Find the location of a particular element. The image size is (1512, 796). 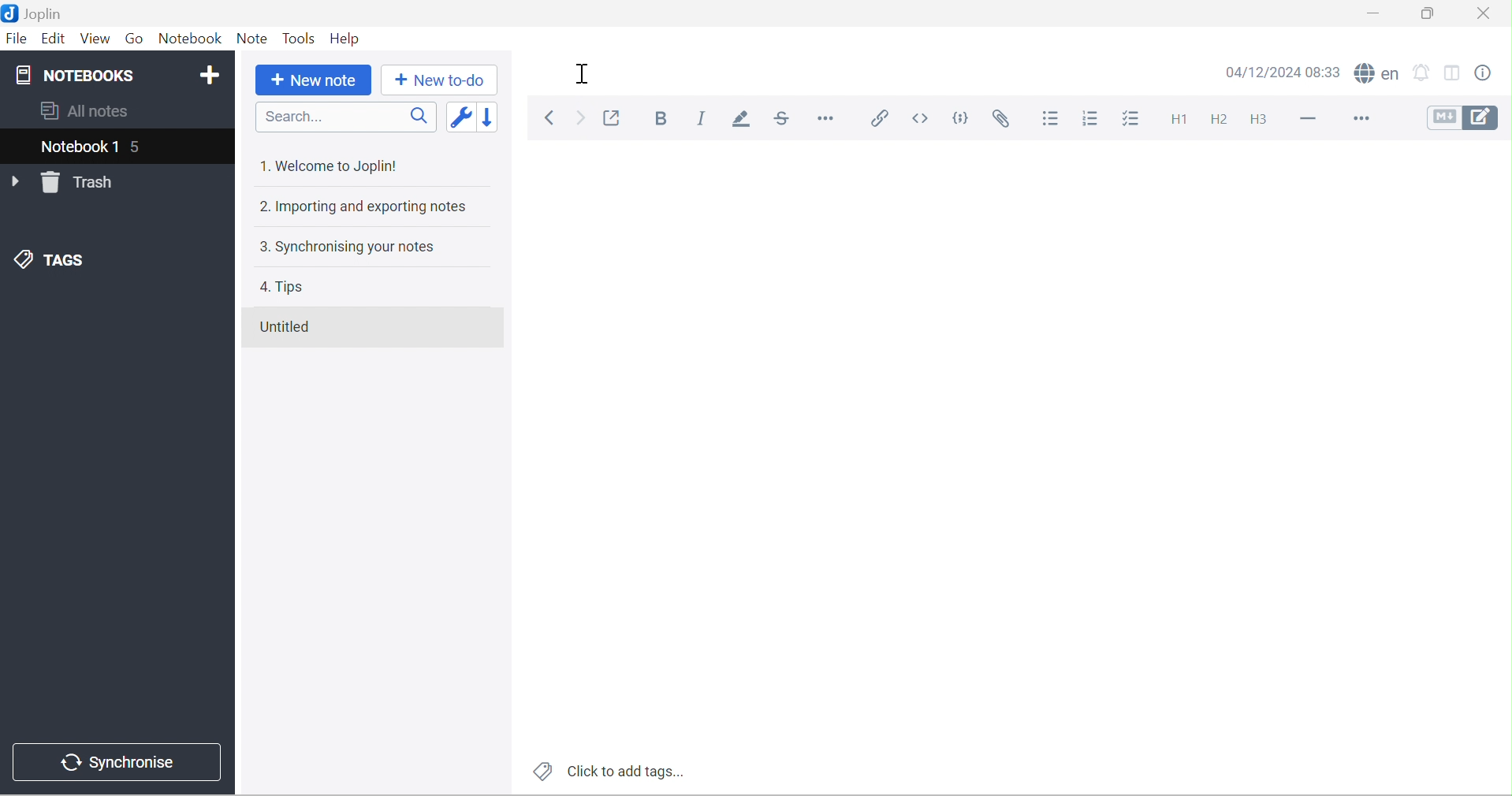

Cursor is located at coordinates (583, 74).